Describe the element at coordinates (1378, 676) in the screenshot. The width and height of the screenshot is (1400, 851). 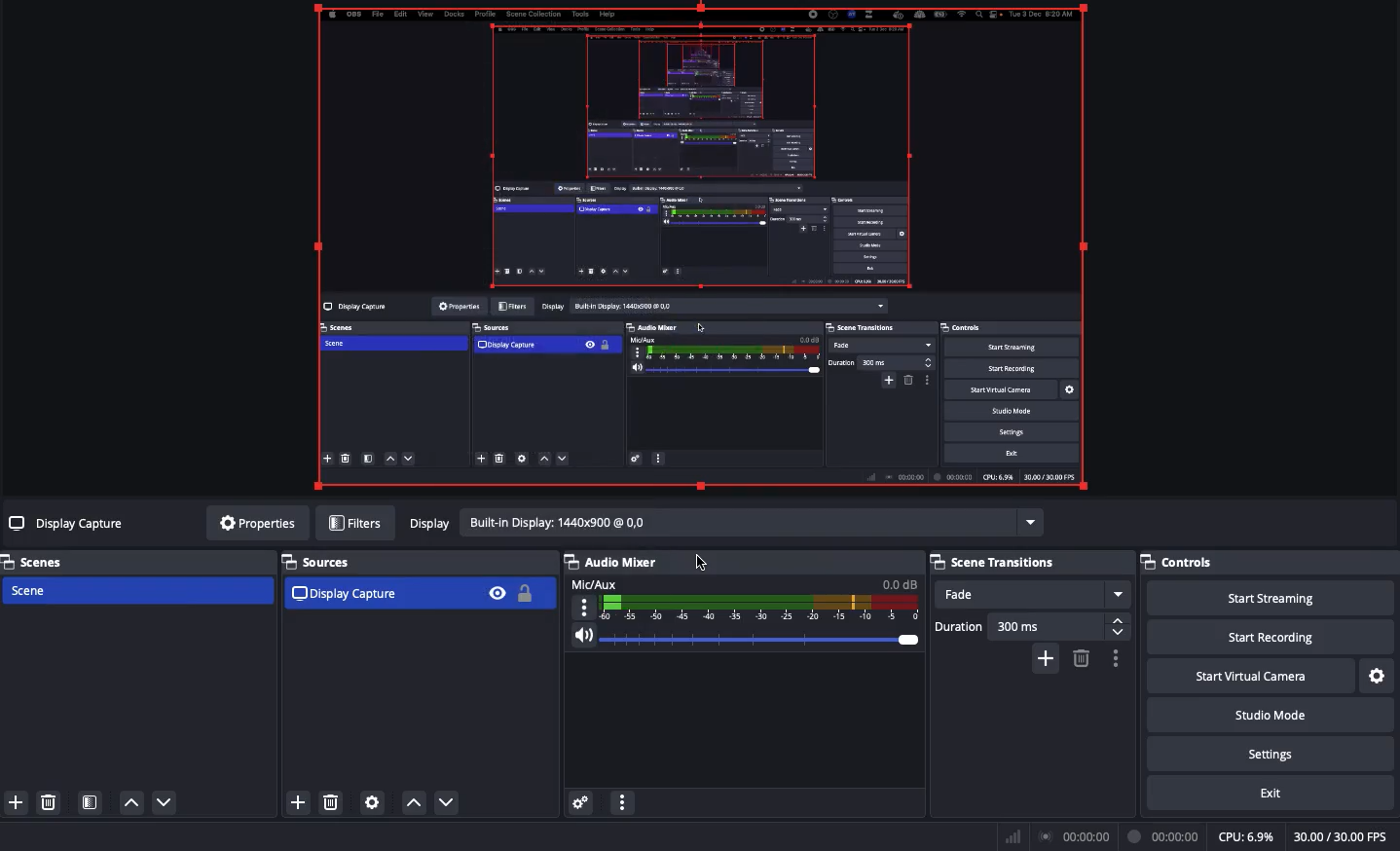
I see `Settings` at that location.